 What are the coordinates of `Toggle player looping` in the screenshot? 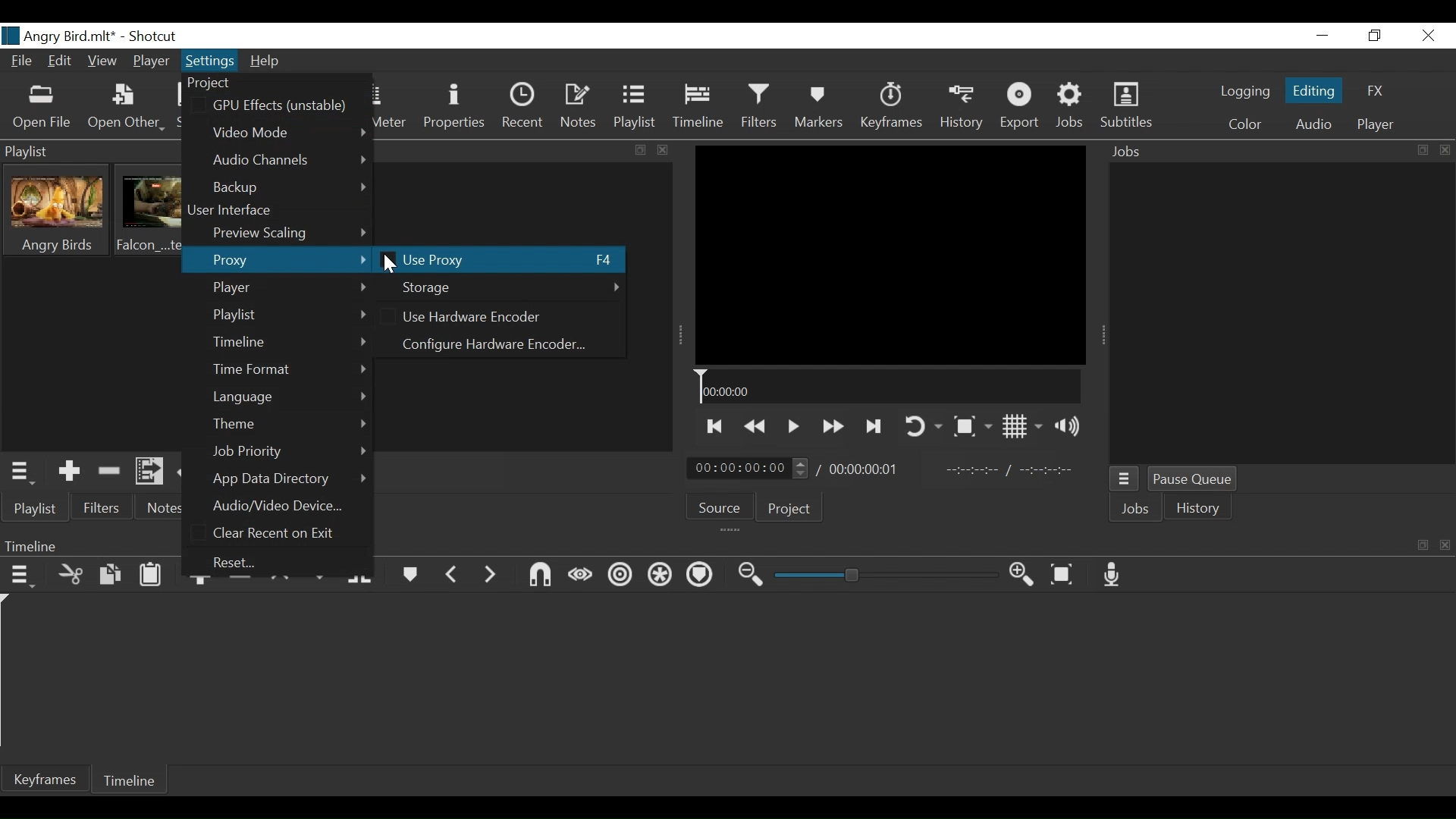 It's located at (921, 427).